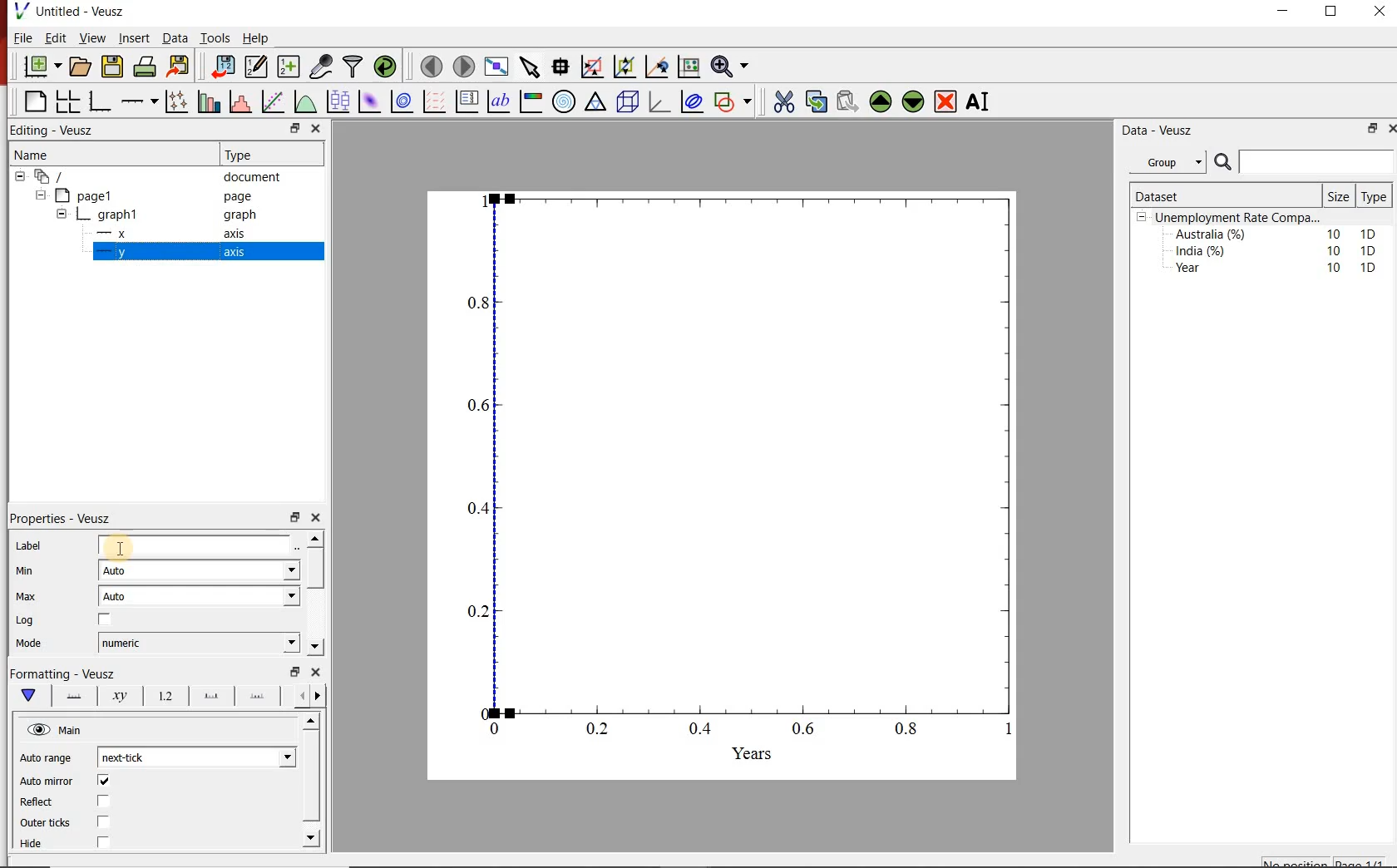  Describe the element at coordinates (34, 598) in the screenshot. I see `Max` at that location.